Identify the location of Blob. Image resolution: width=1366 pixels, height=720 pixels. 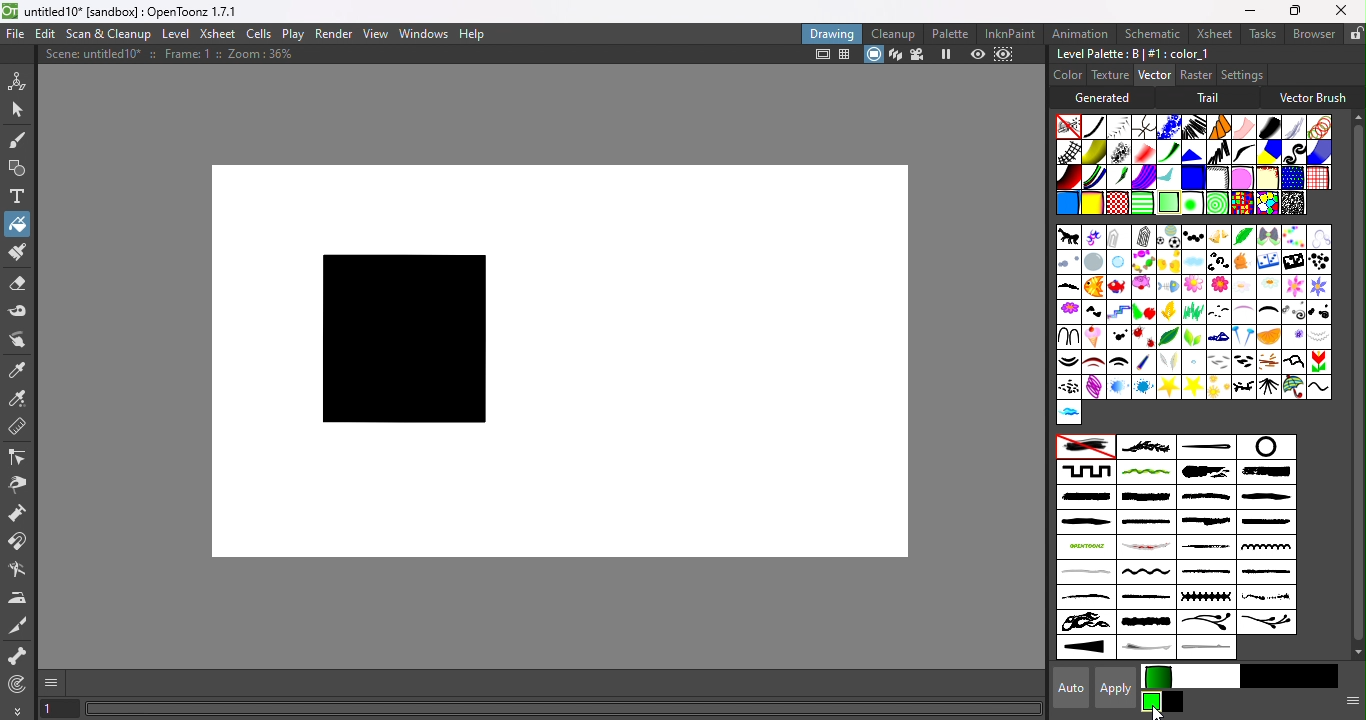
(1242, 177).